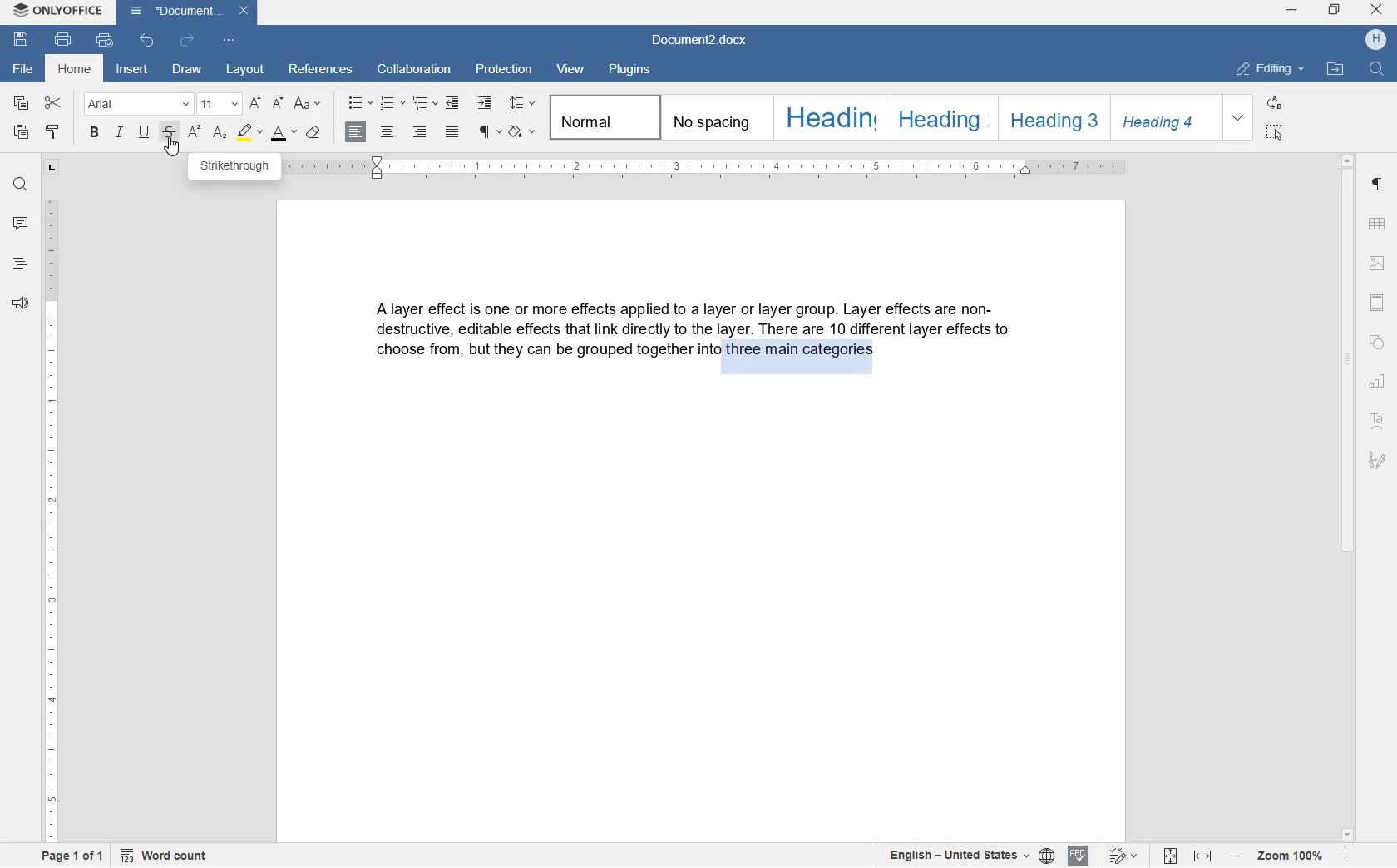  I want to click on align right, so click(422, 133).